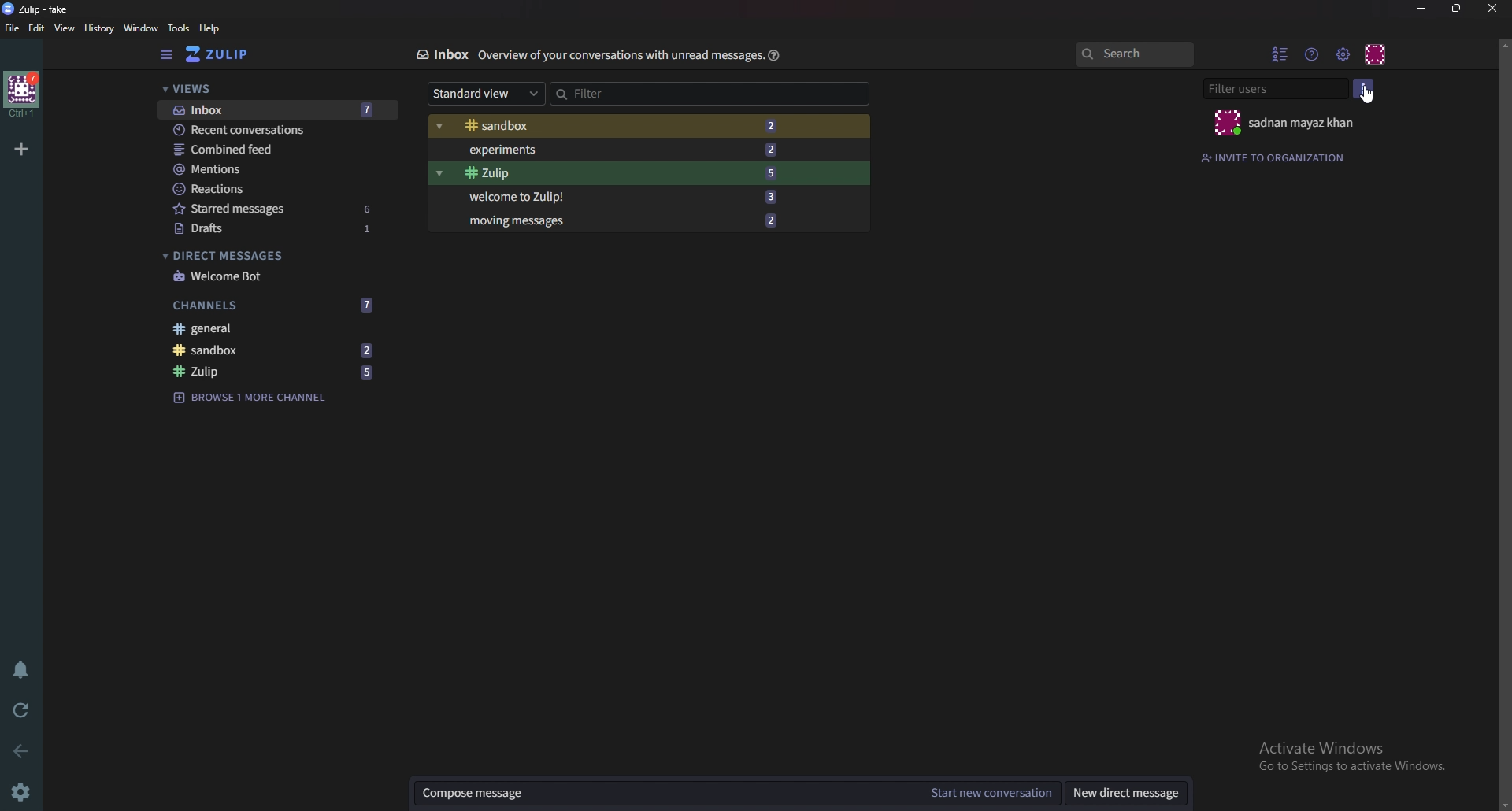  Describe the element at coordinates (1281, 53) in the screenshot. I see `Hide user list` at that location.